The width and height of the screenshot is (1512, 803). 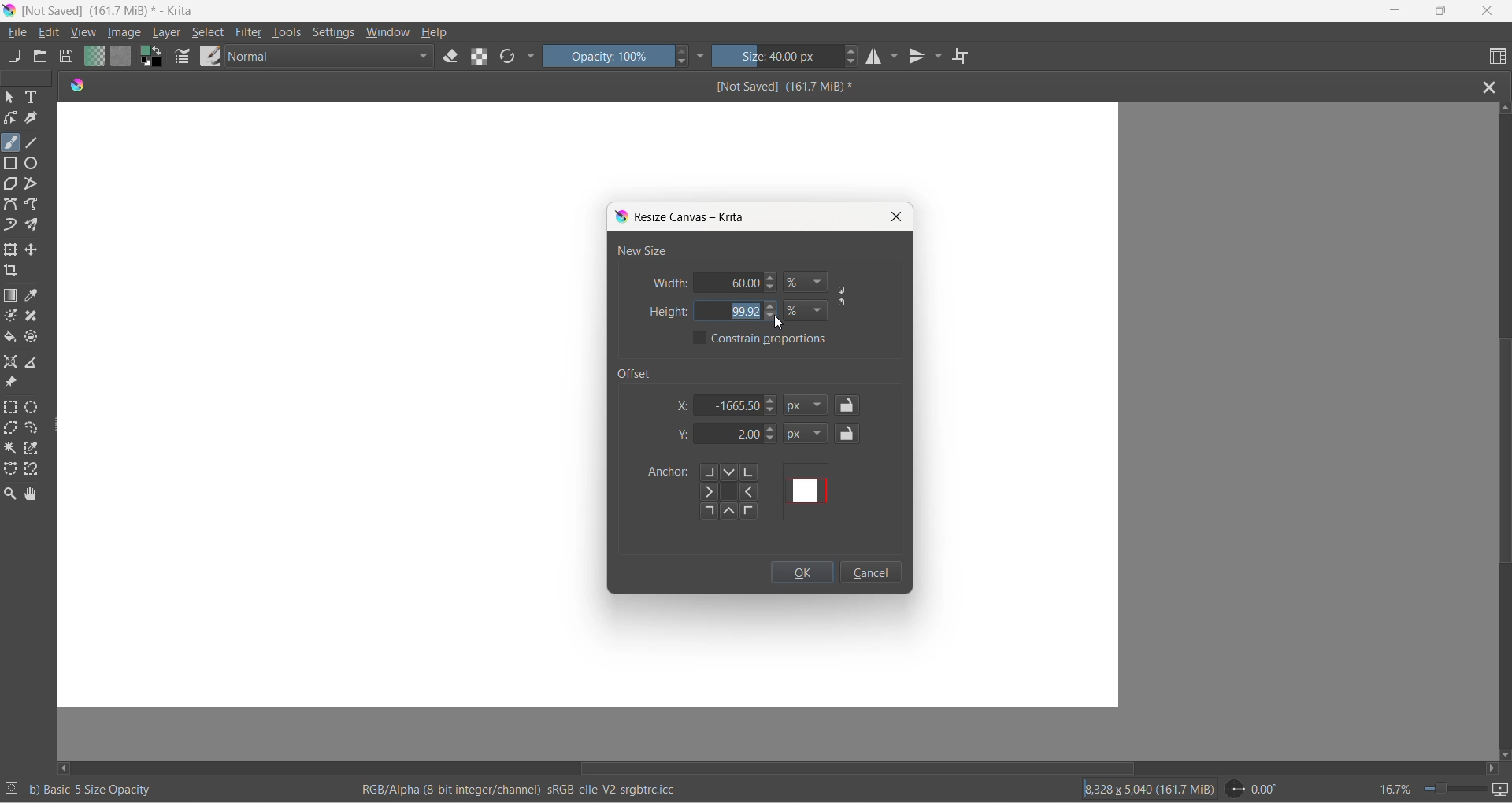 What do you see at coordinates (1258, 789) in the screenshot?
I see `rotation` at bounding box center [1258, 789].